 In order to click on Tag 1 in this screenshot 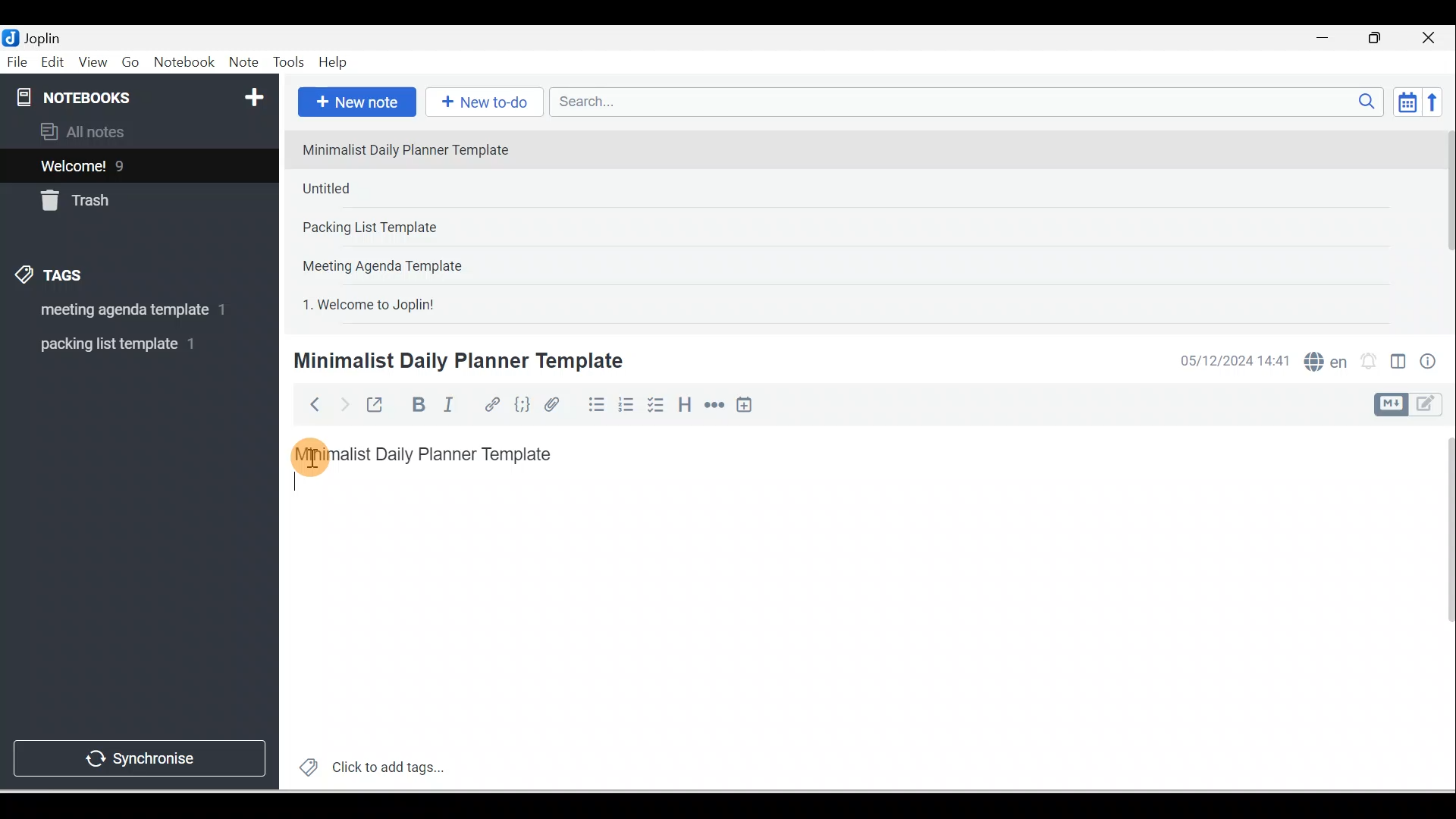, I will do `click(119, 311)`.